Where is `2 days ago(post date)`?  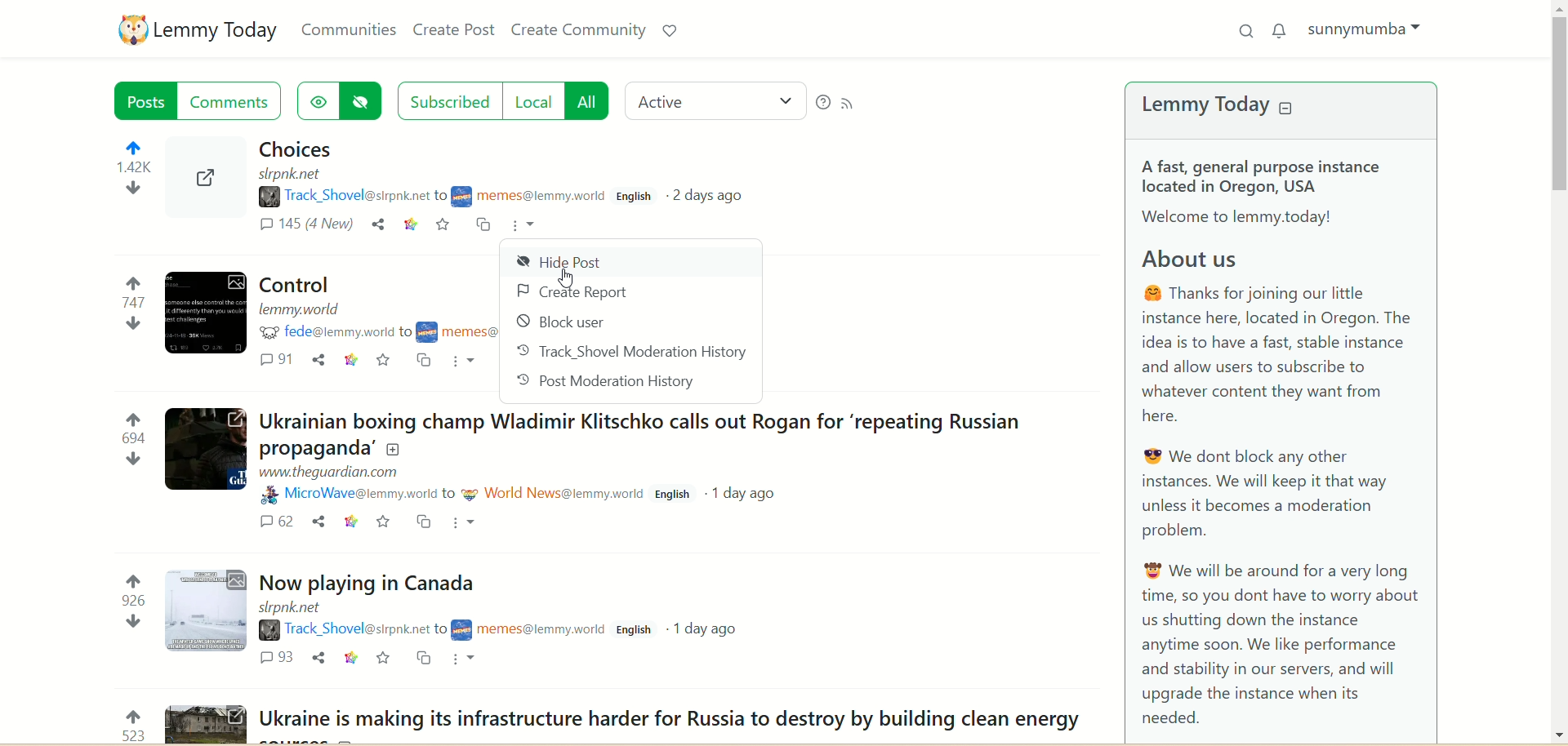
2 days ago(post date) is located at coordinates (716, 199).